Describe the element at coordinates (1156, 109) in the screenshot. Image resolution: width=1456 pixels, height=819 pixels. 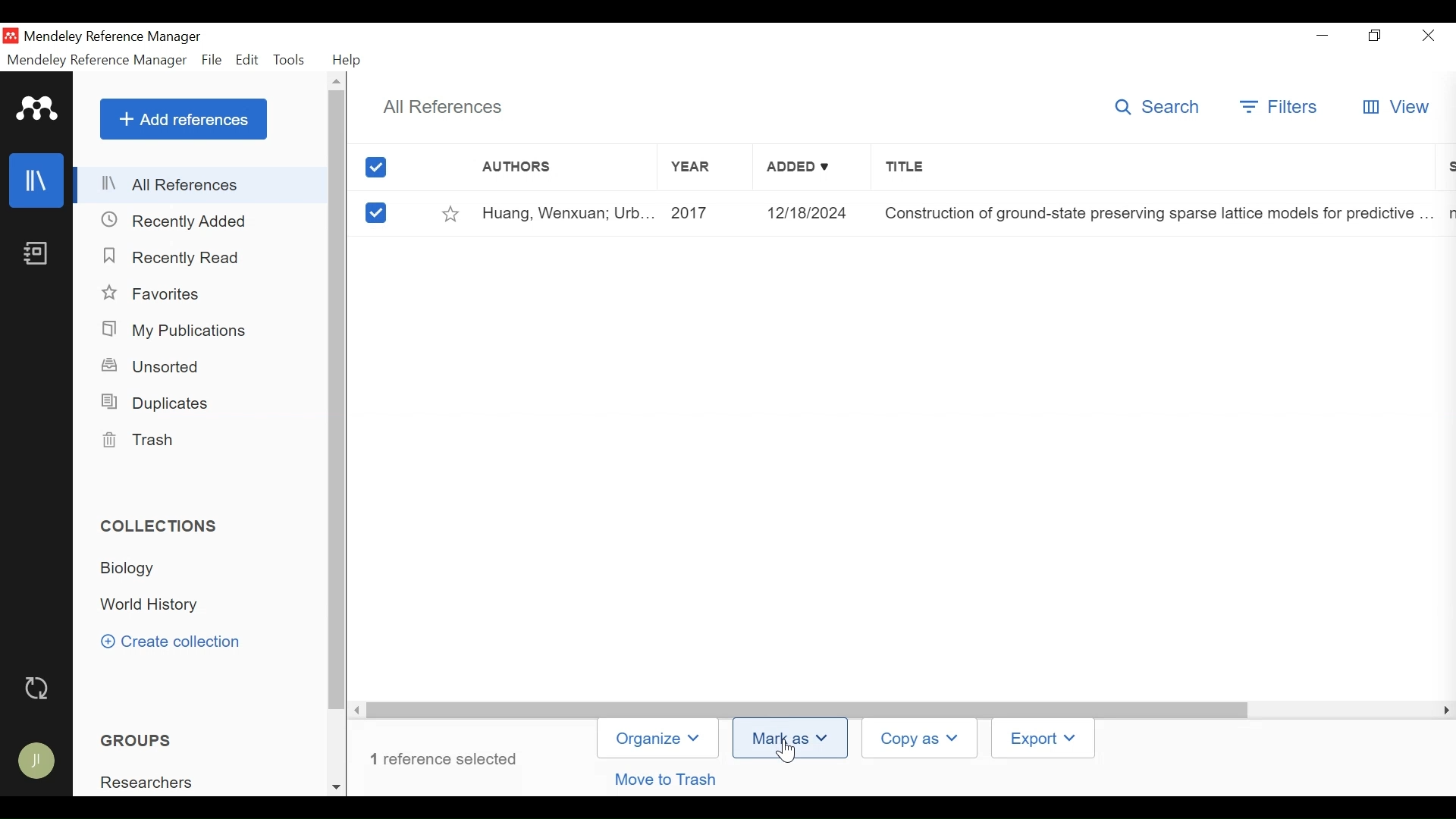
I see `Search` at that location.